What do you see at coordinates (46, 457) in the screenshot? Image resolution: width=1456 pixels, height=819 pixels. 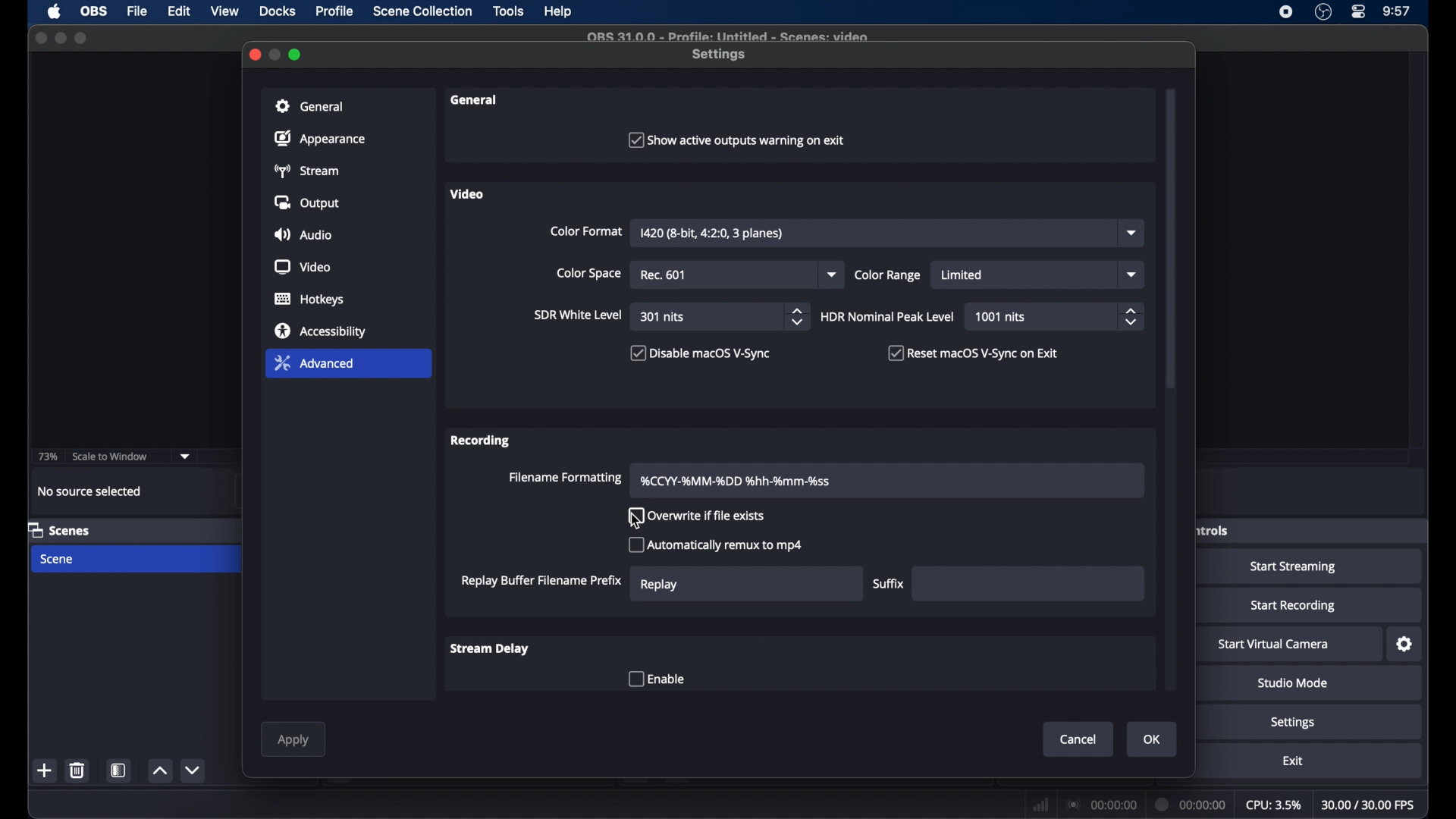 I see `73%` at bounding box center [46, 457].